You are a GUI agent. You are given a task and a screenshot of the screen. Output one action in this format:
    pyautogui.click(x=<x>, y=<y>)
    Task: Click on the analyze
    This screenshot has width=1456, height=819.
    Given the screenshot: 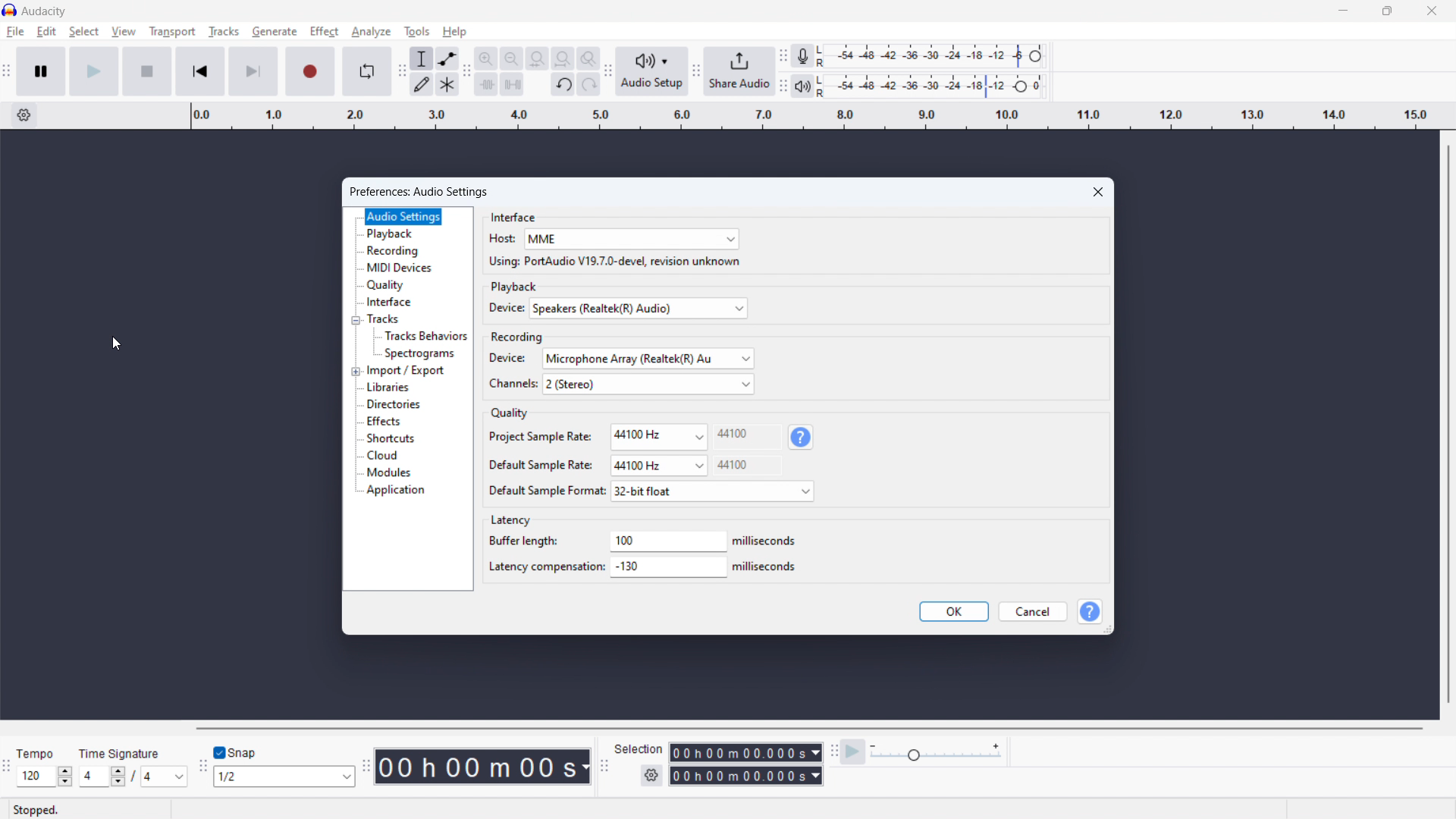 What is the action you would take?
    pyautogui.click(x=370, y=32)
    